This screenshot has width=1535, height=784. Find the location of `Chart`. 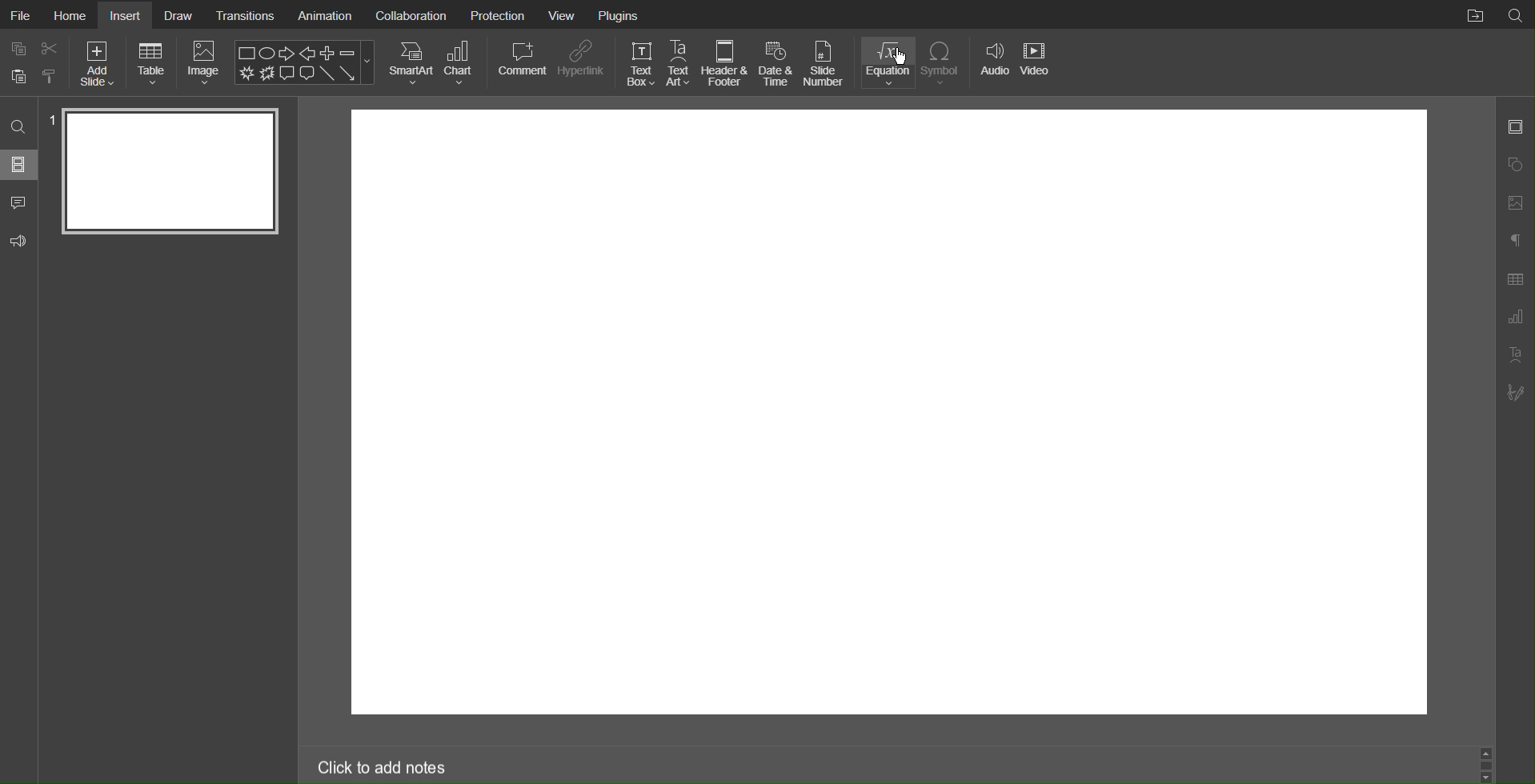

Chart is located at coordinates (461, 63).